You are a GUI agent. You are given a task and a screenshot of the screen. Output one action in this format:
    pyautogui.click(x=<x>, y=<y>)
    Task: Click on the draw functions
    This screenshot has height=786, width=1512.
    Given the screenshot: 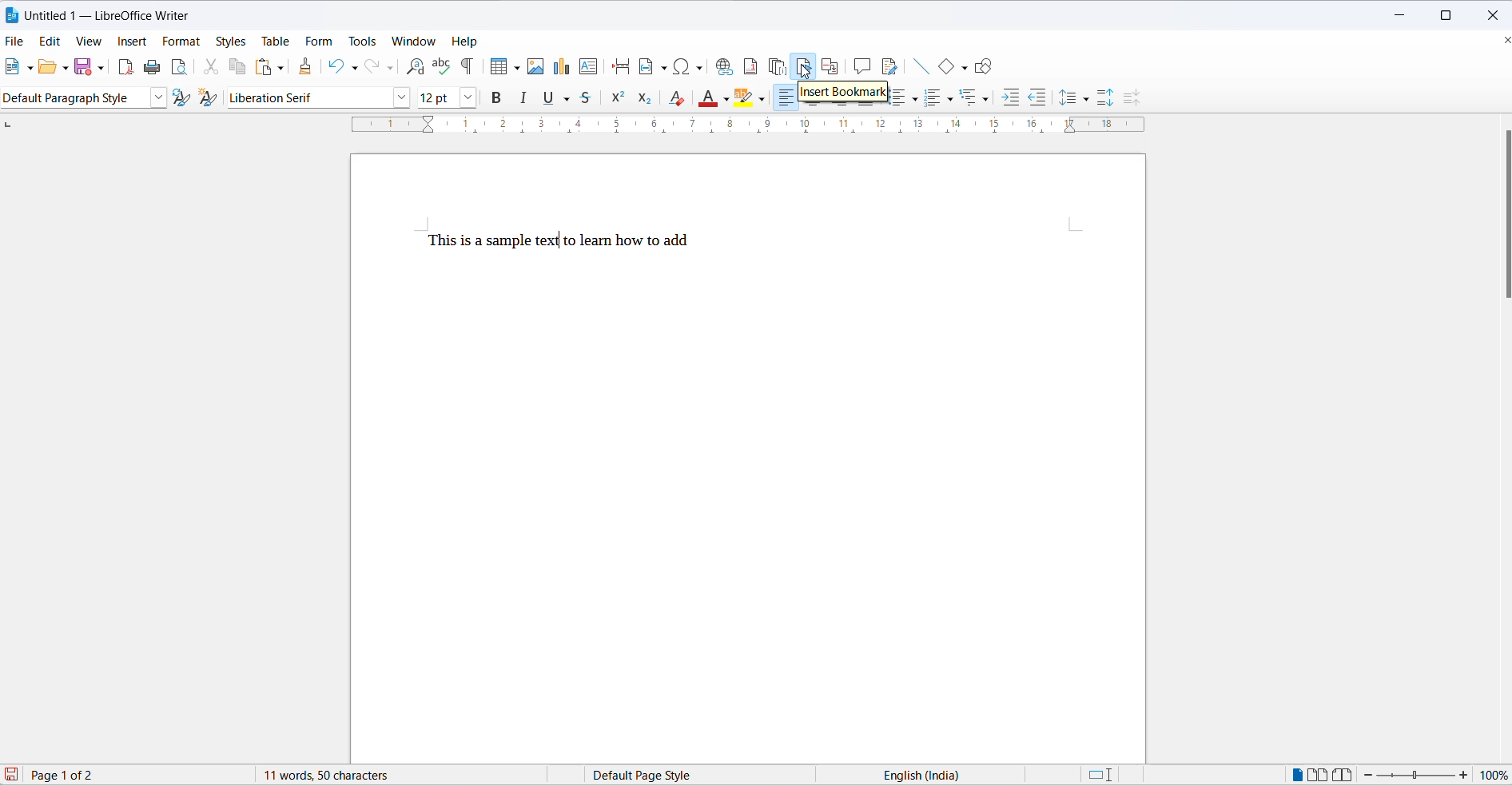 What is the action you would take?
    pyautogui.click(x=983, y=65)
    